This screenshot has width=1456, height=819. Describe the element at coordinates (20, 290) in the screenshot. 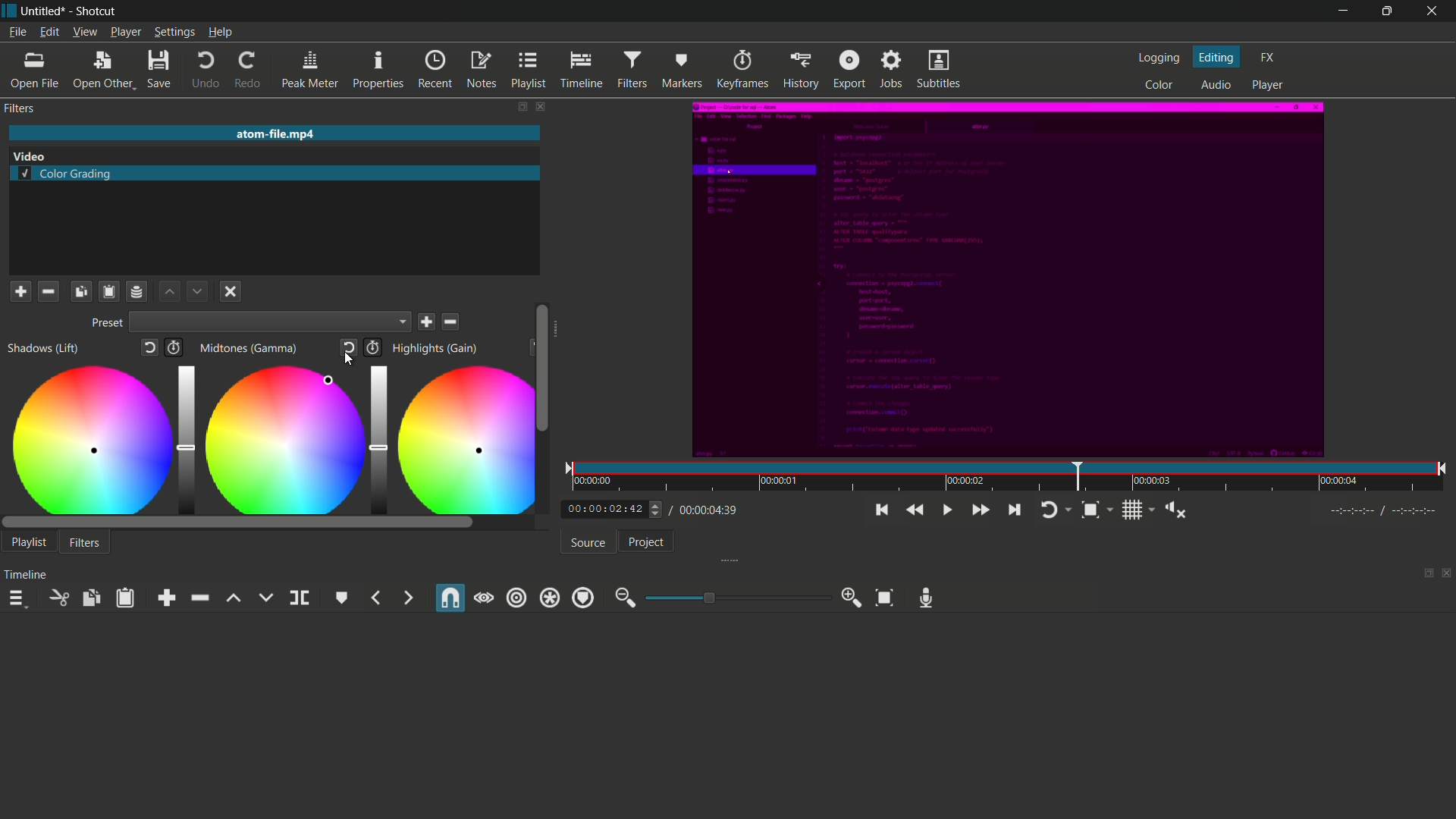

I see `Add` at that location.